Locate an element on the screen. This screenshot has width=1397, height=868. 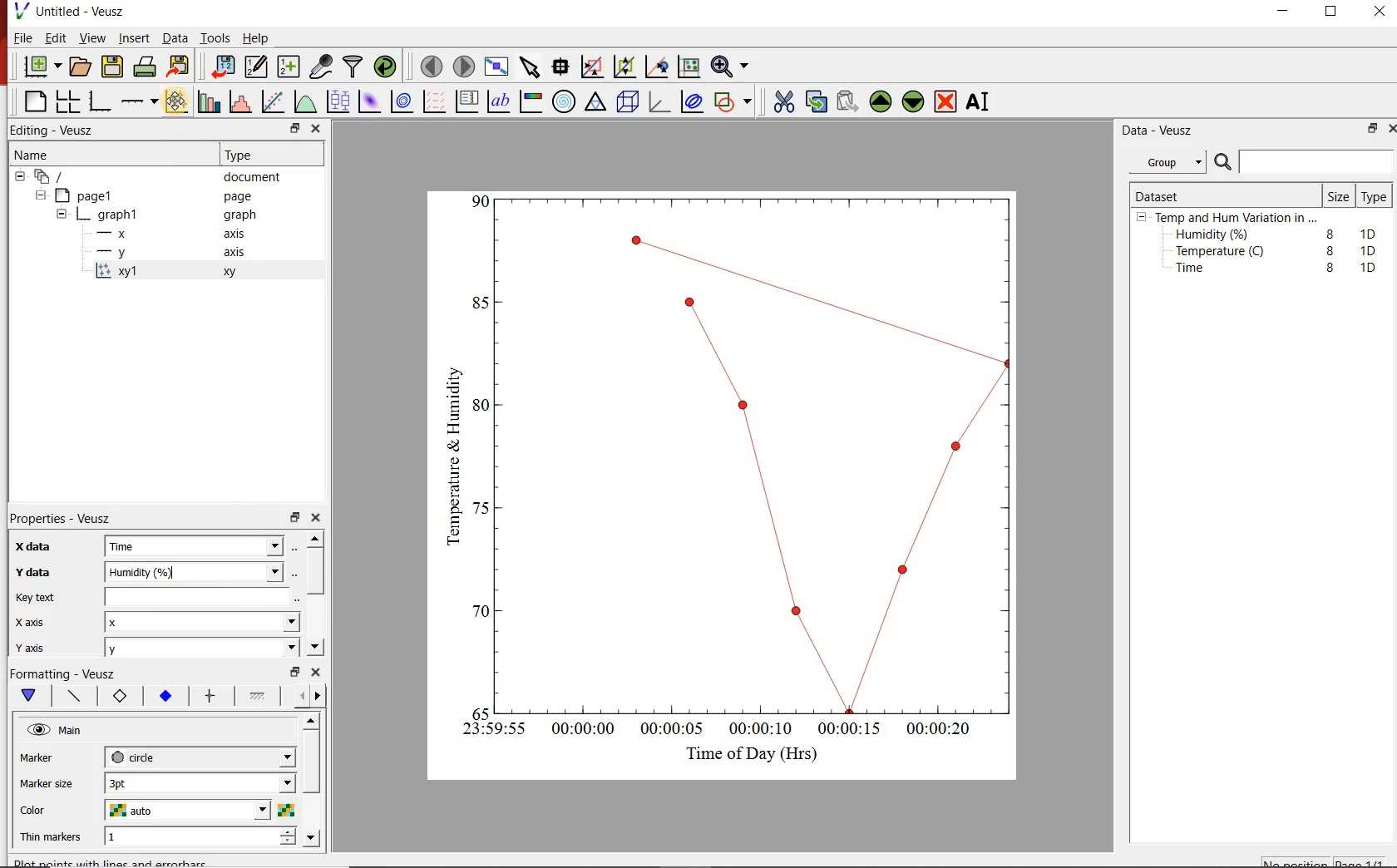
open a document is located at coordinates (81, 67).